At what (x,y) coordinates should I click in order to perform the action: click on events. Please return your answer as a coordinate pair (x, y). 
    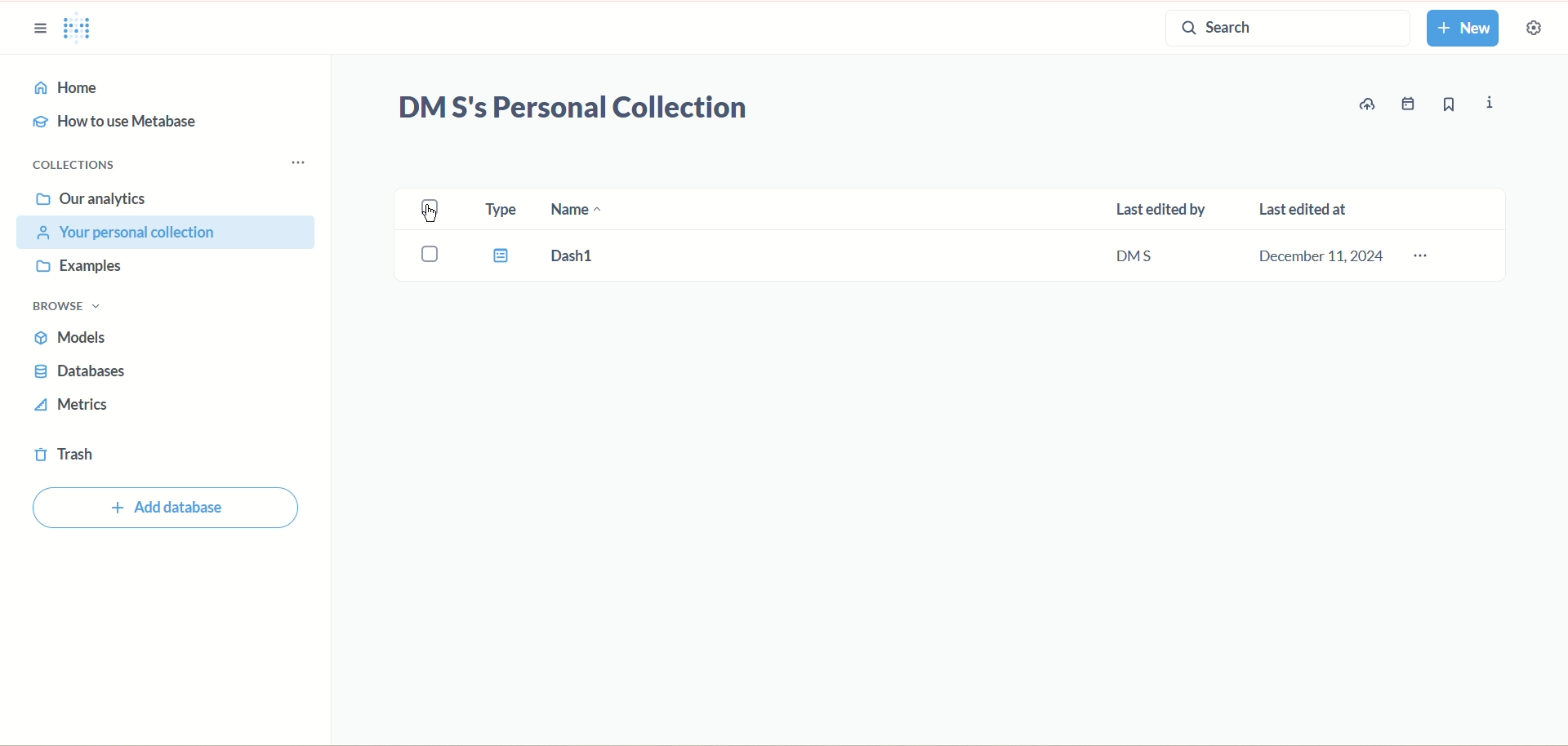
    Looking at the image, I should click on (1410, 105).